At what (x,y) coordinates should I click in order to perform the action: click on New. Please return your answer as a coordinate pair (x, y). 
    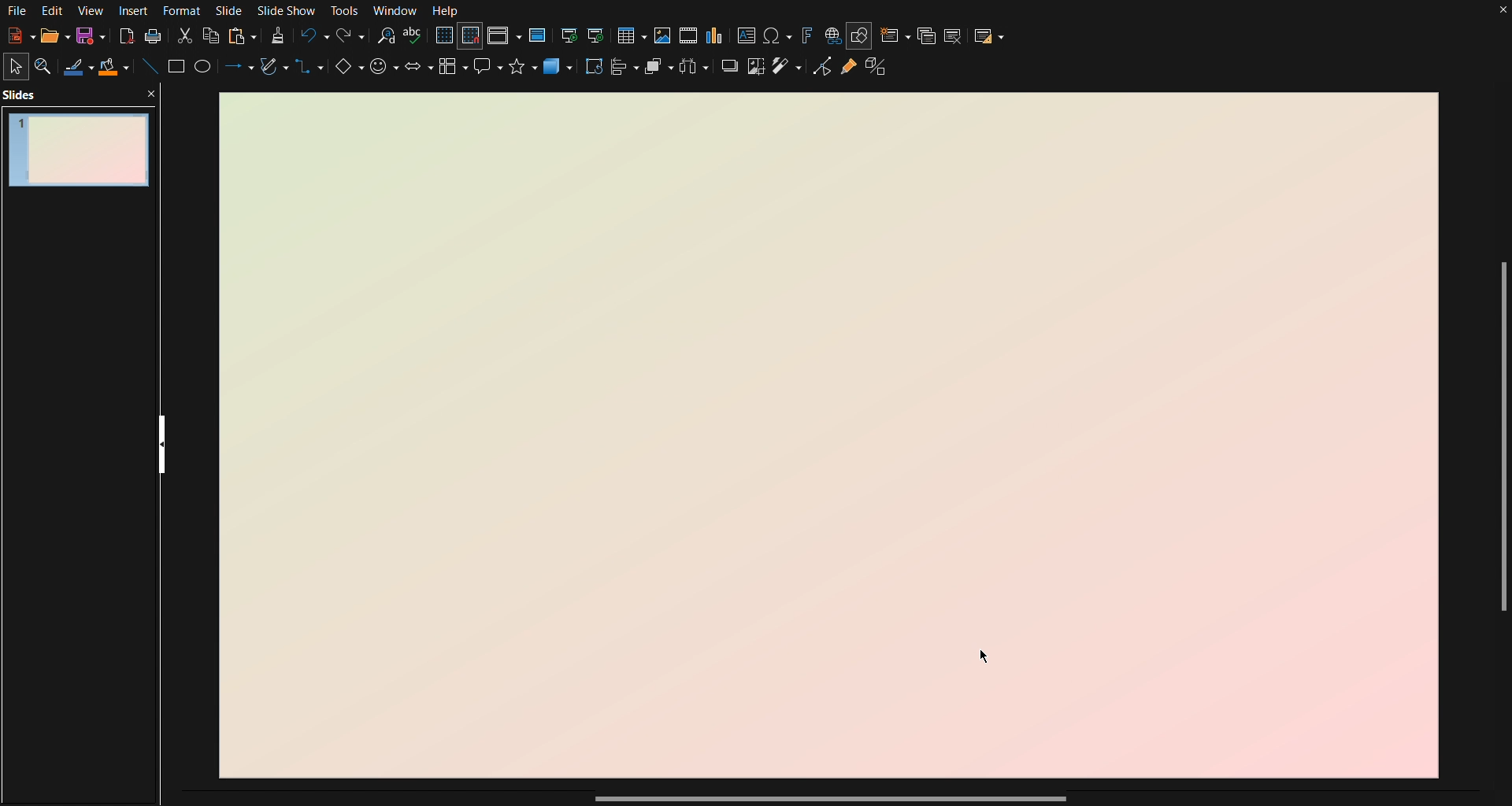
    Looking at the image, I should click on (16, 37).